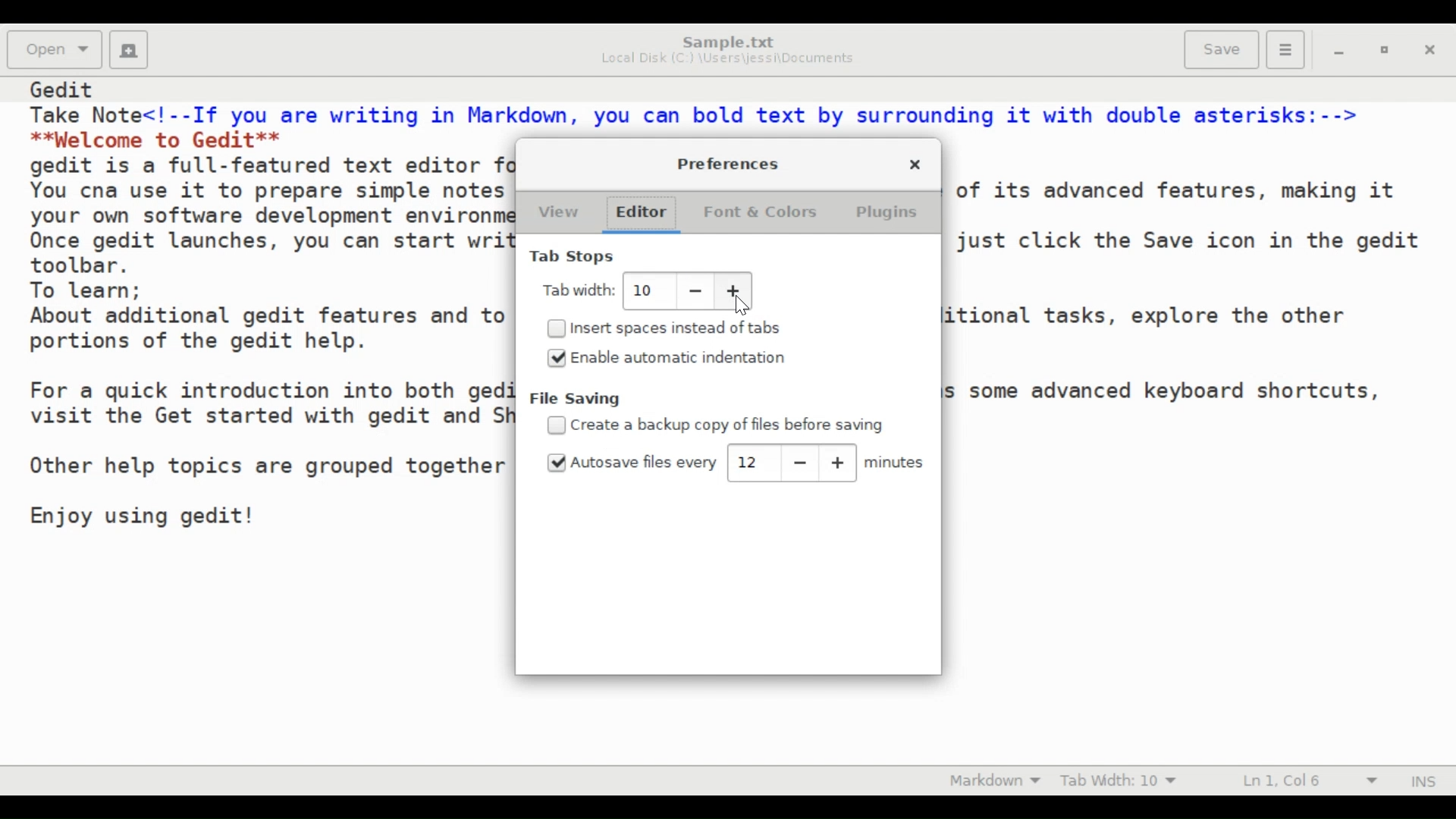 The width and height of the screenshot is (1456, 819). What do you see at coordinates (800, 462) in the screenshot?
I see `decrease` at bounding box center [800, 462].